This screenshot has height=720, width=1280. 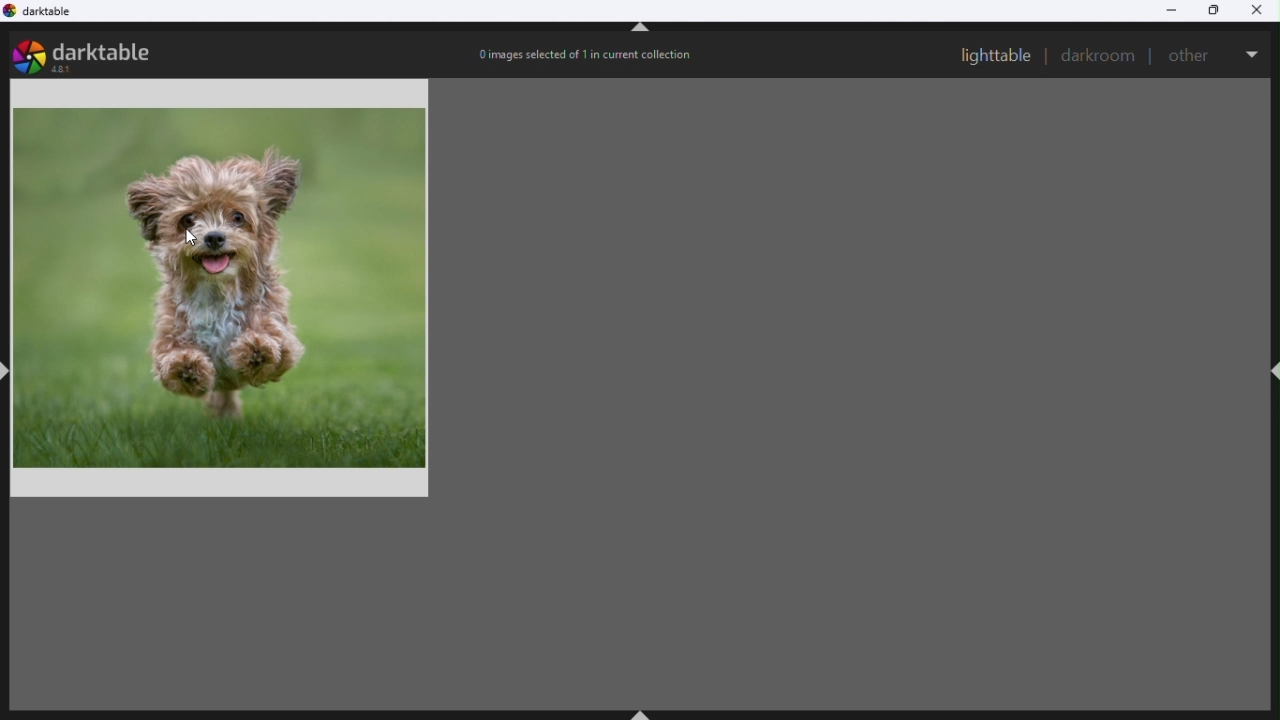 I want to click on ctrl+shift+l, so click(x=8, y=371).